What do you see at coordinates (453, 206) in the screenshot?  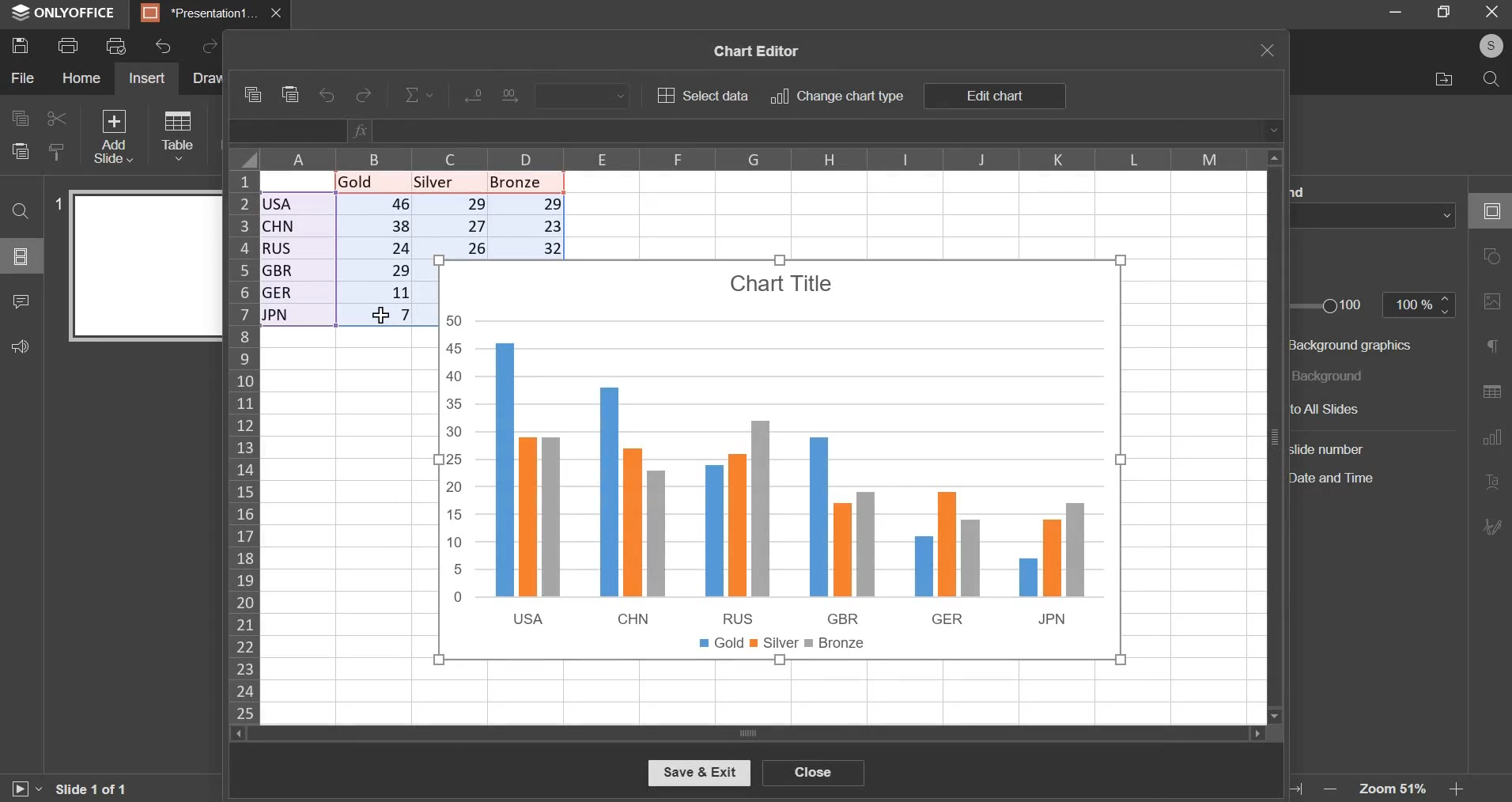 I see `29` at bounding box center [453, 206].